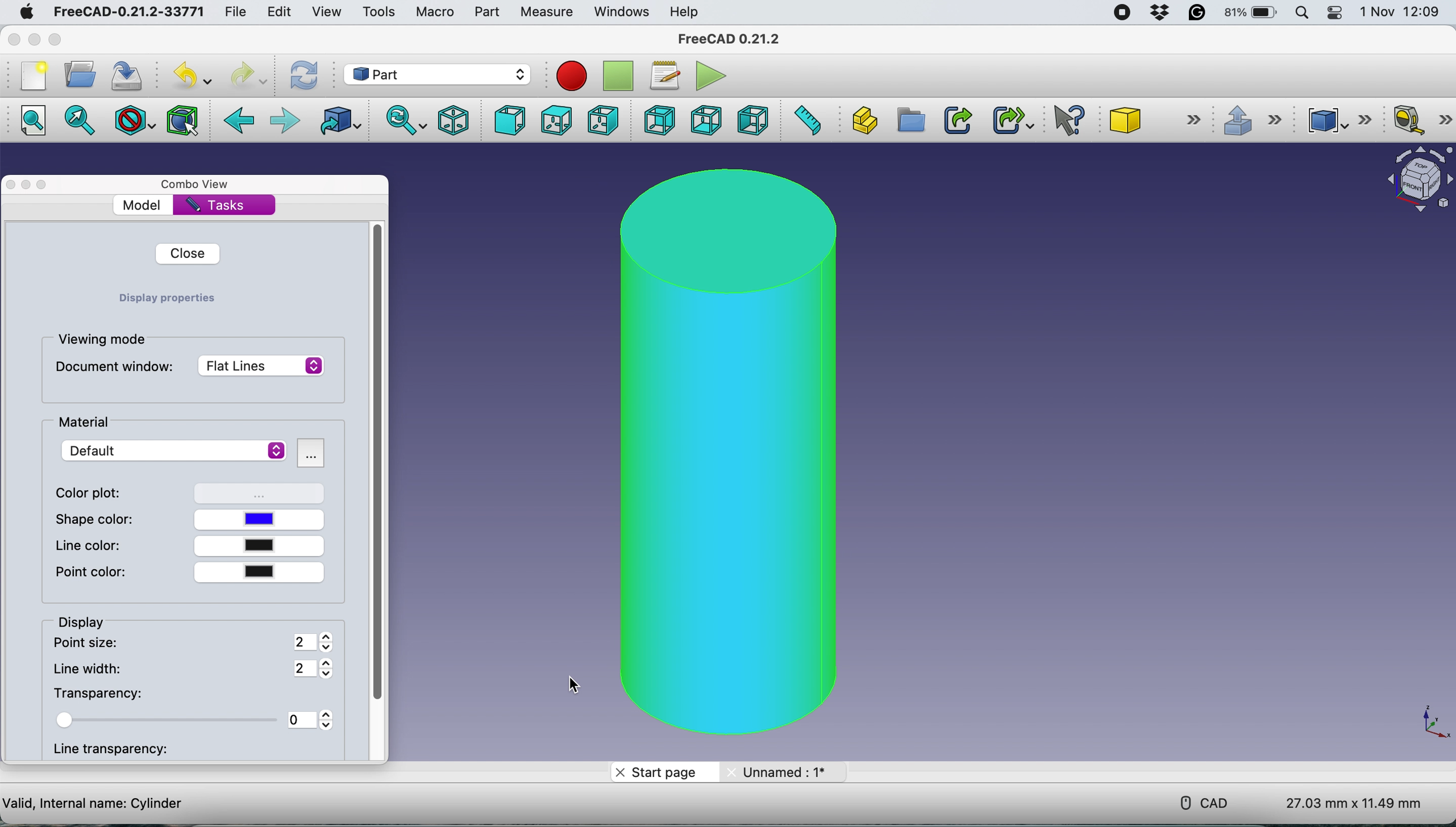 This screenshot has height=827, width=1456. Describe the element at coordinates (199, 183) in the screenshot. I see `combo view` at that location.